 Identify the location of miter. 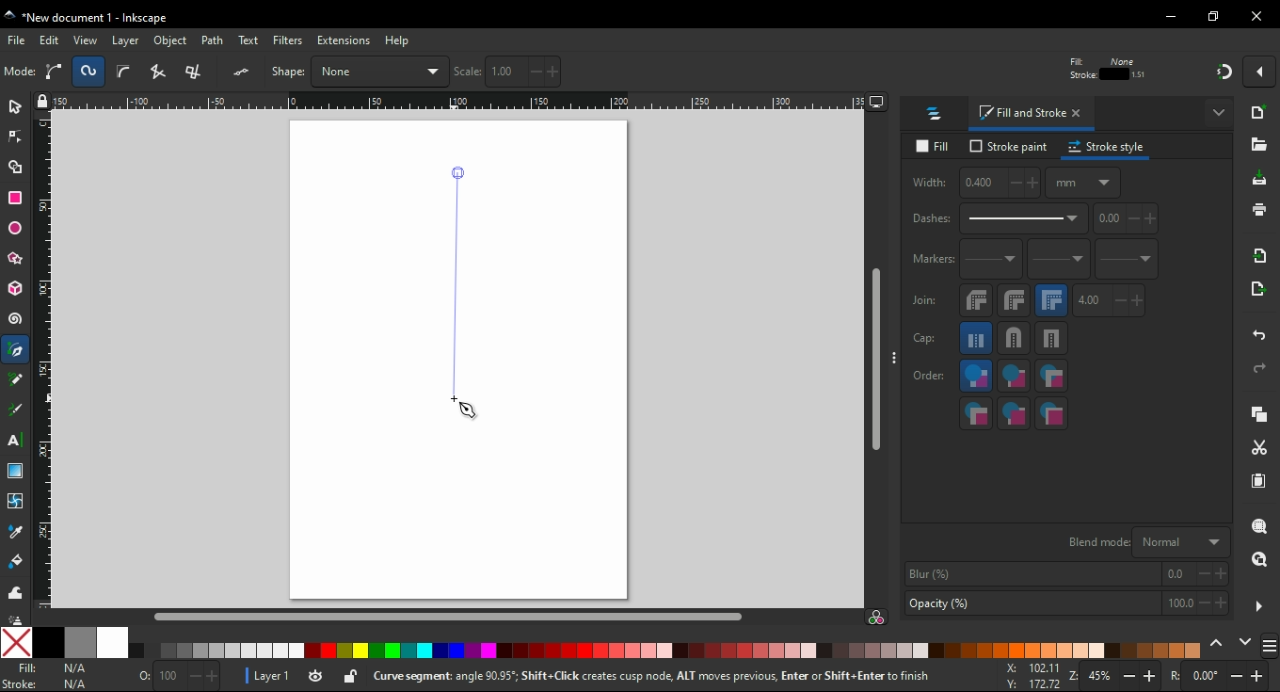
(1051, 300).